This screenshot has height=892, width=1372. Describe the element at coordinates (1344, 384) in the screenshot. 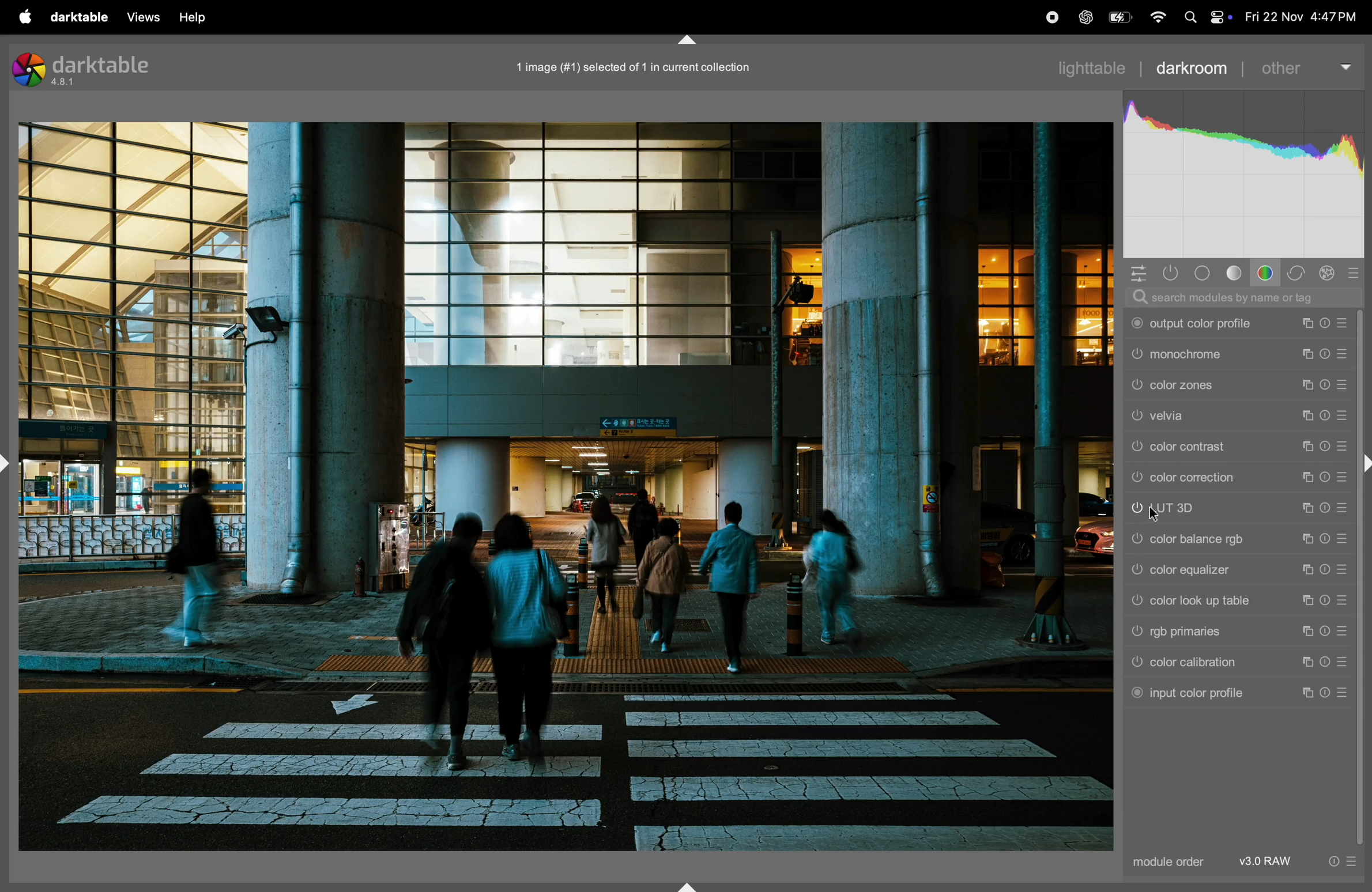

I see `presets` at that location.